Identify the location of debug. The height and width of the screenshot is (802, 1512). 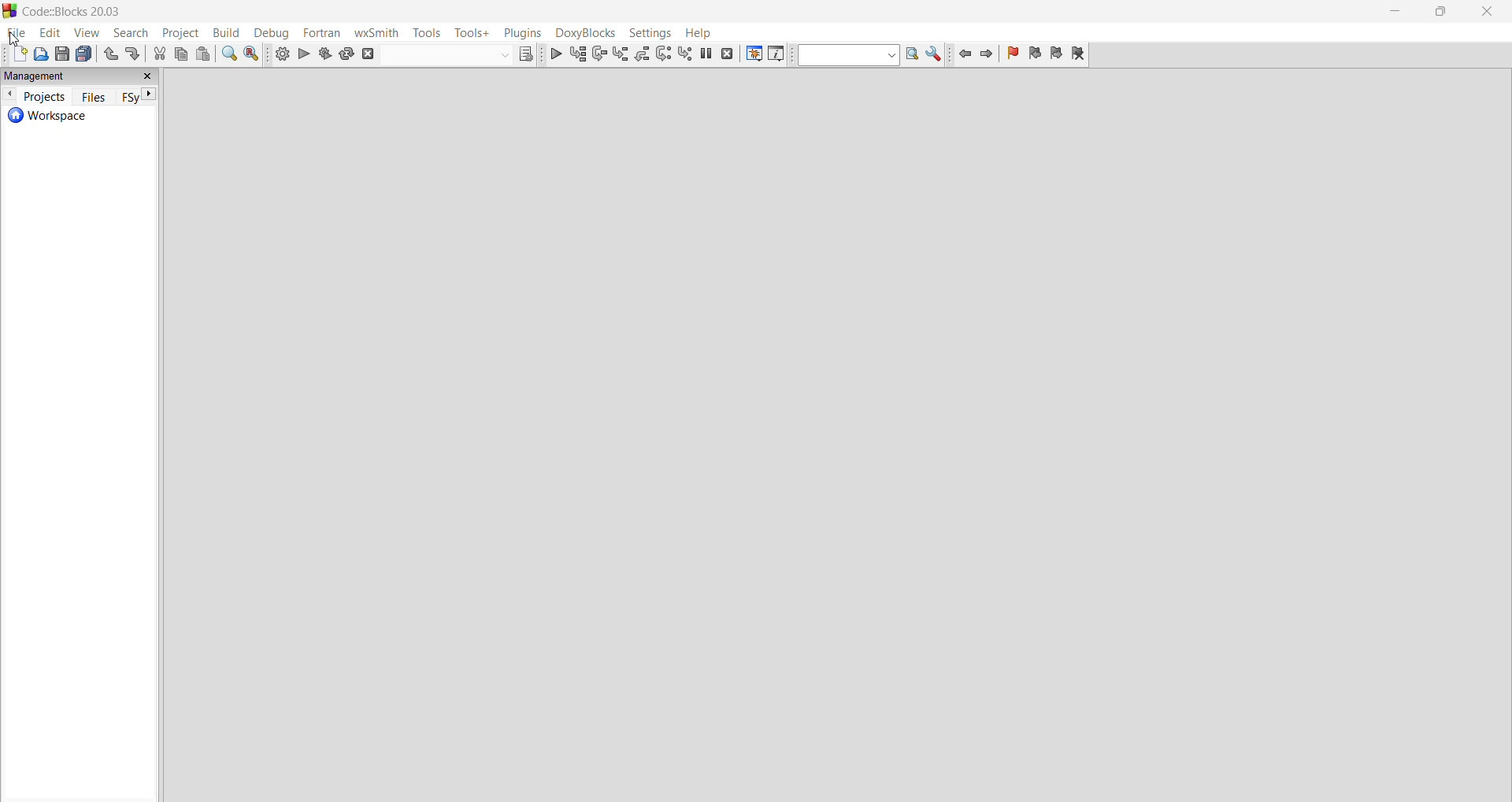
(272, 33).